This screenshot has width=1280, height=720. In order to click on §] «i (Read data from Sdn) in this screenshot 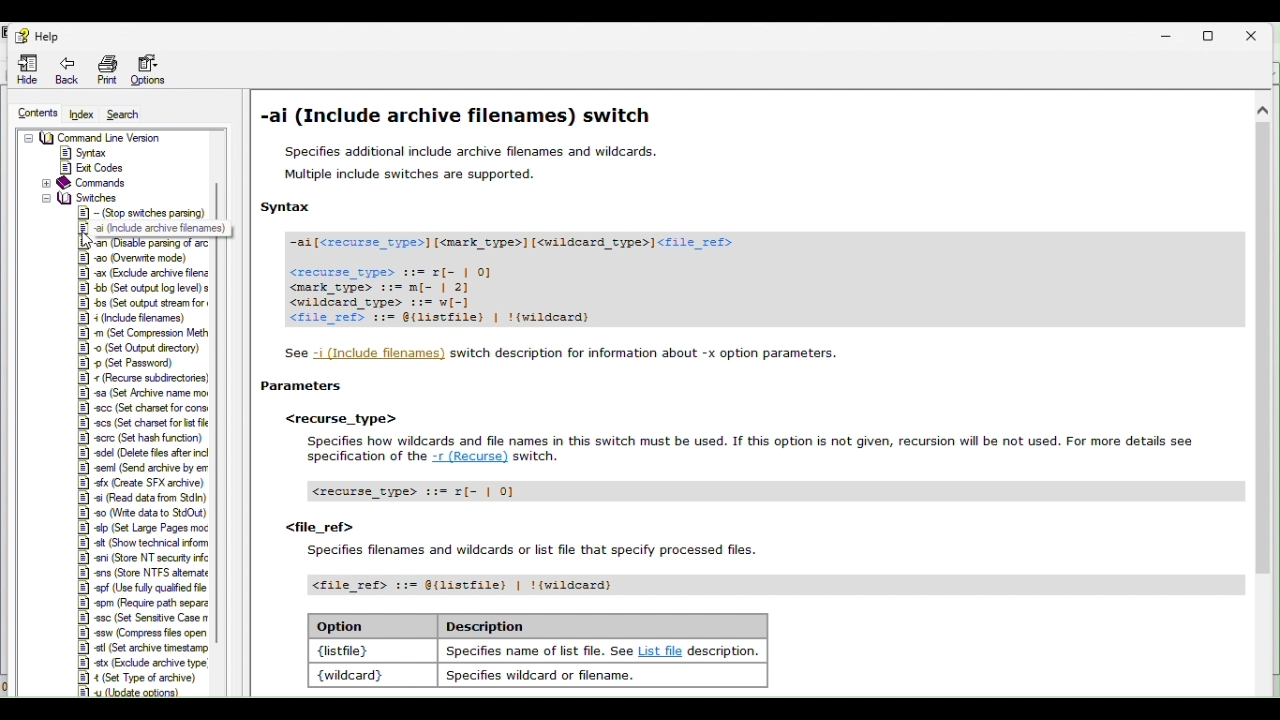, I will do `click(145, 497)`.